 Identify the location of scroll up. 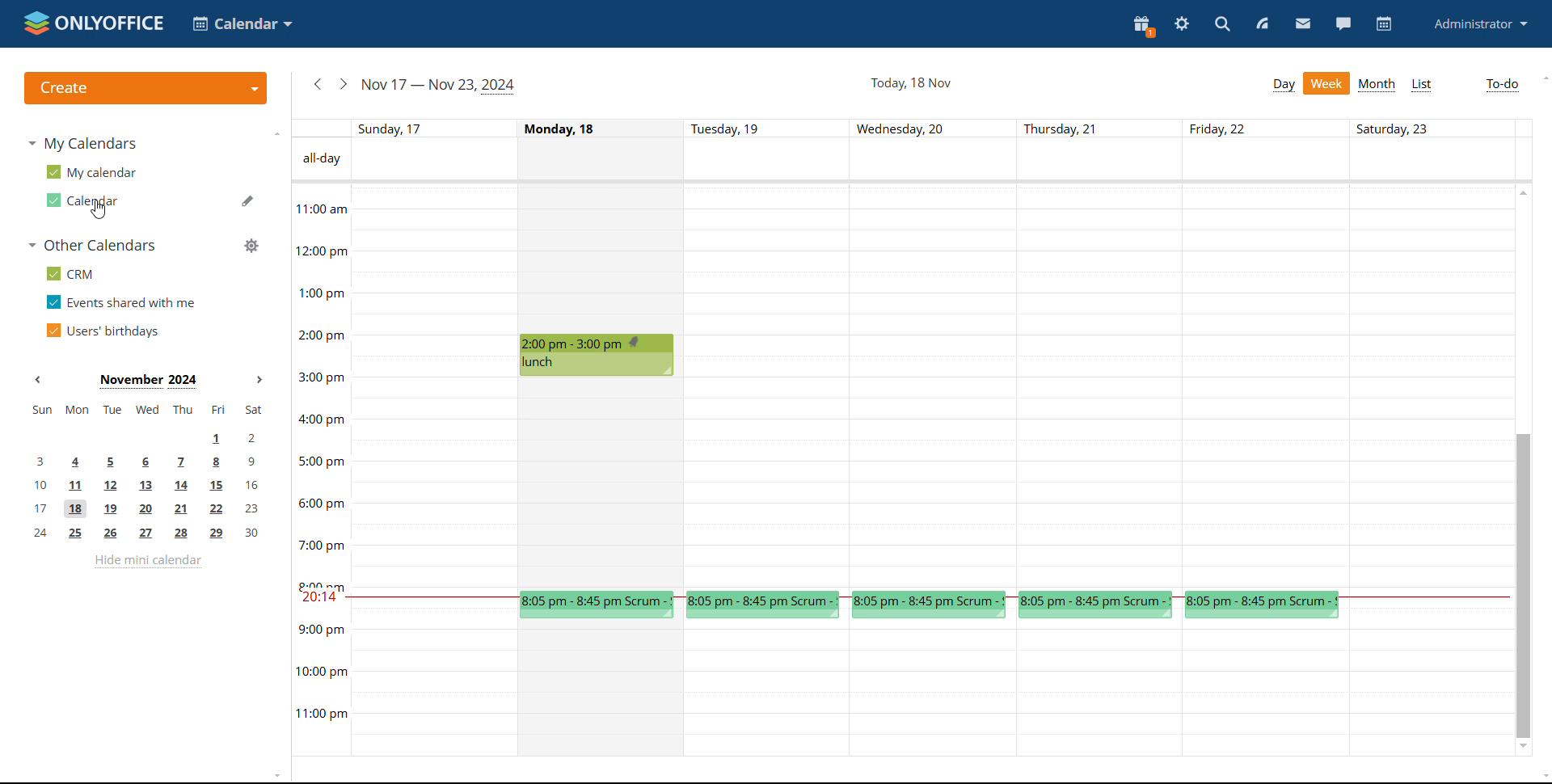
(1525, 192).